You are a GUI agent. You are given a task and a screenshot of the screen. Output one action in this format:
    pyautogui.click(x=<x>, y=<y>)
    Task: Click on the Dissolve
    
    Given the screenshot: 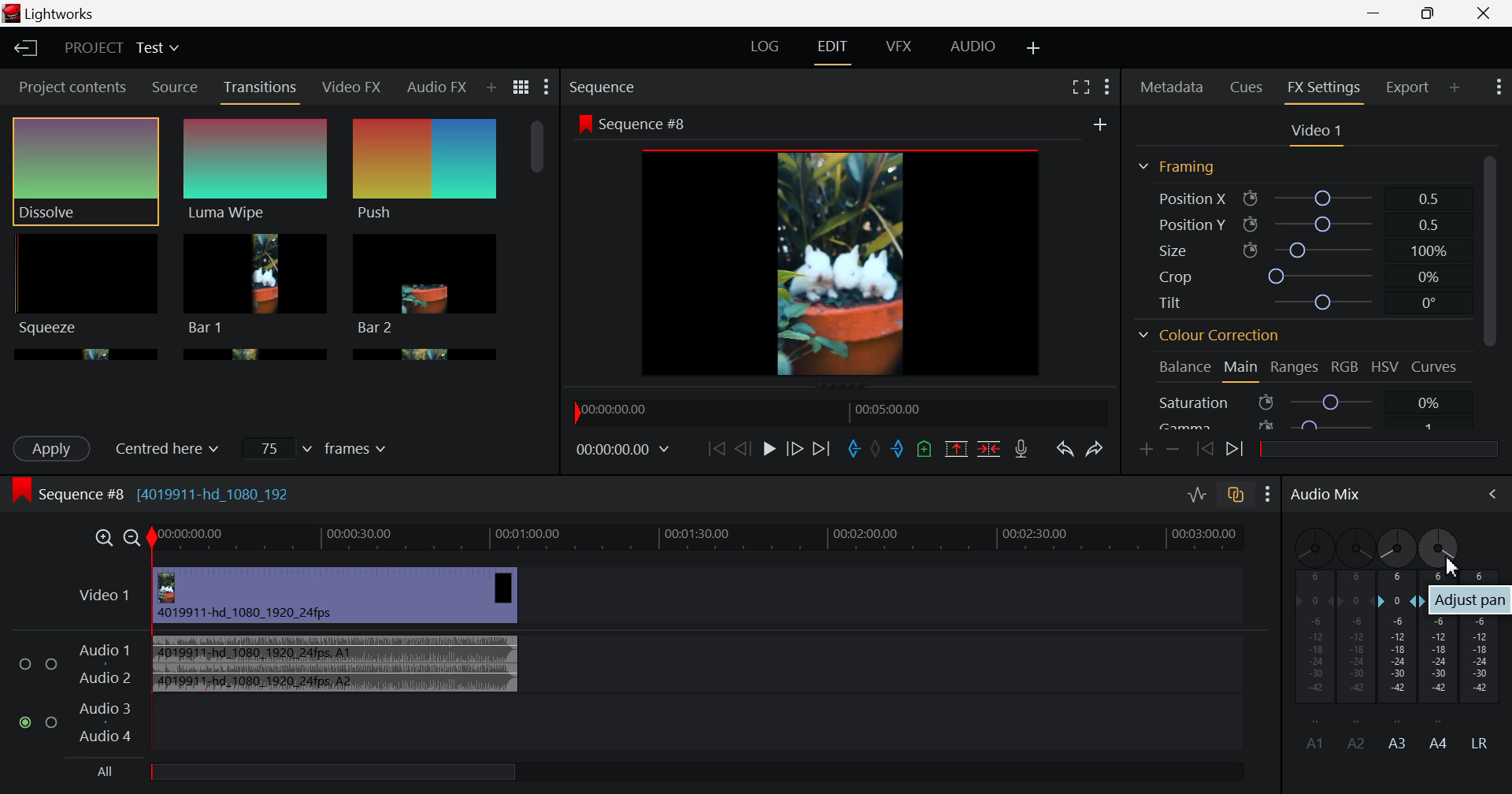 What is the action you would take?
    pyautogui.click(x=85, y=172)
    